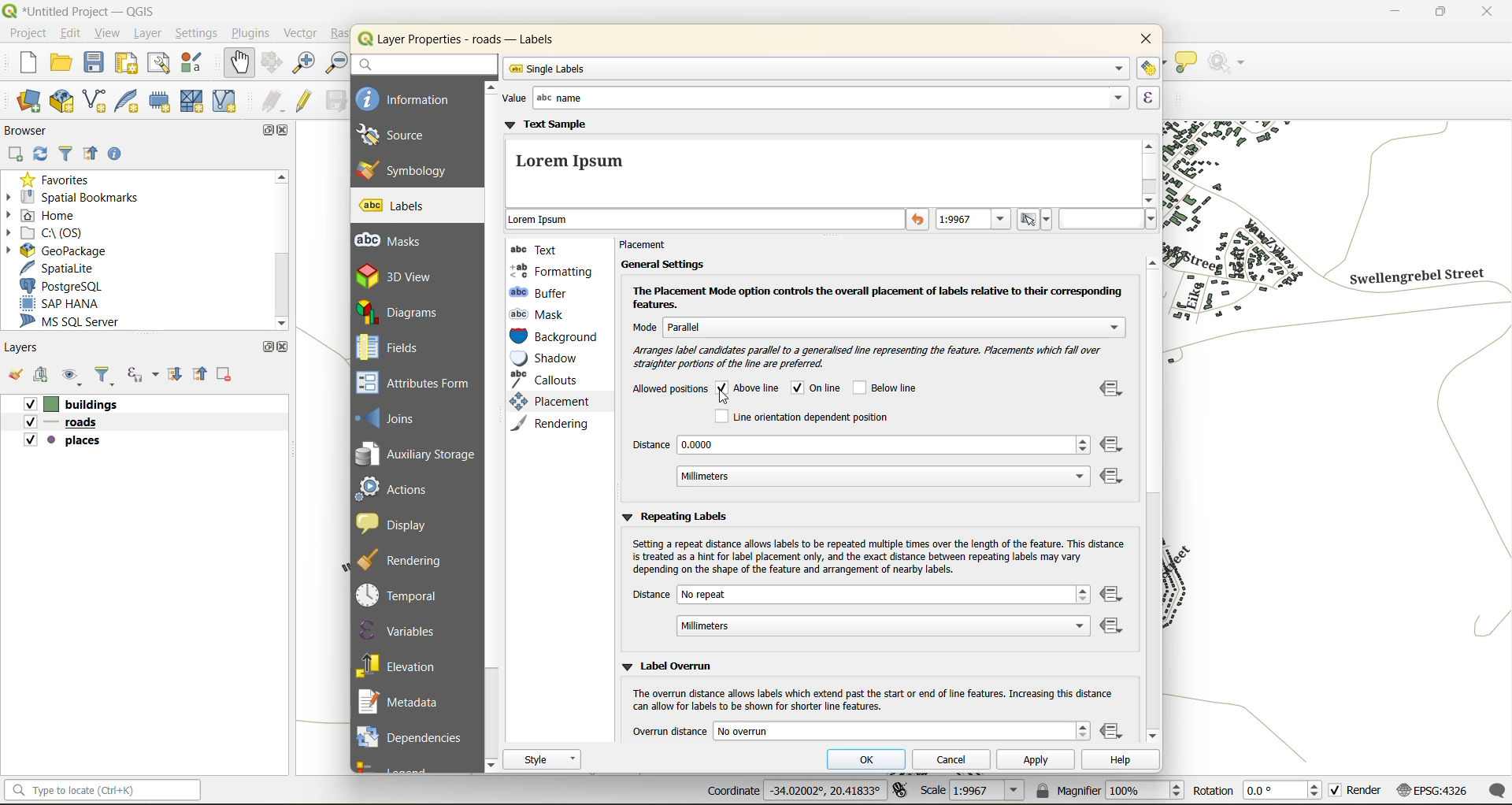 The height and width of the screenshot is (805, 1512). Describe the element at coordinates (39, 157) in the screenshot. I see `refresh` at that location.